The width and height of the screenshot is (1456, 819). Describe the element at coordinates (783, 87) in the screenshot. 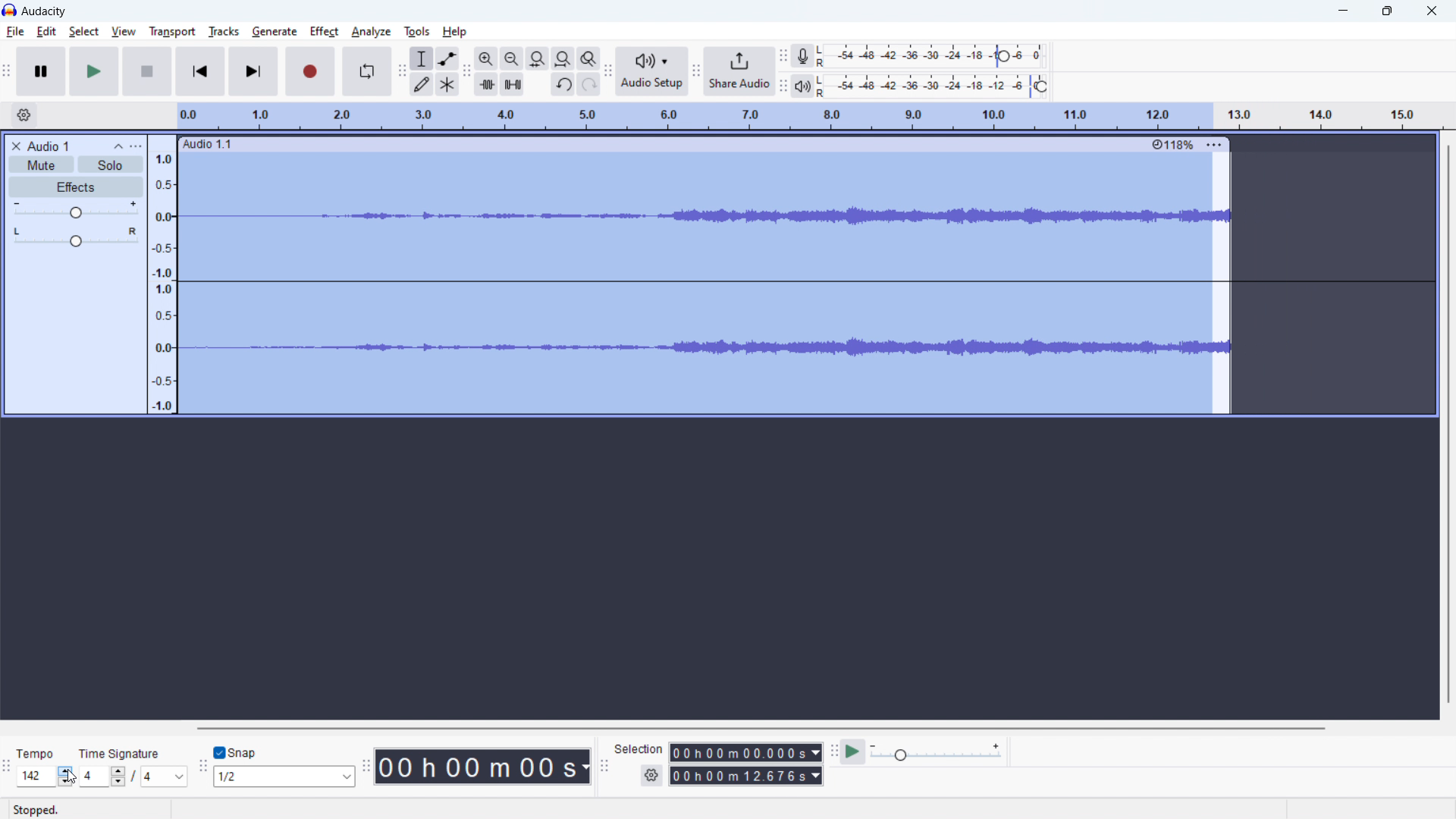

I see `recording meter toolbar` at that location.